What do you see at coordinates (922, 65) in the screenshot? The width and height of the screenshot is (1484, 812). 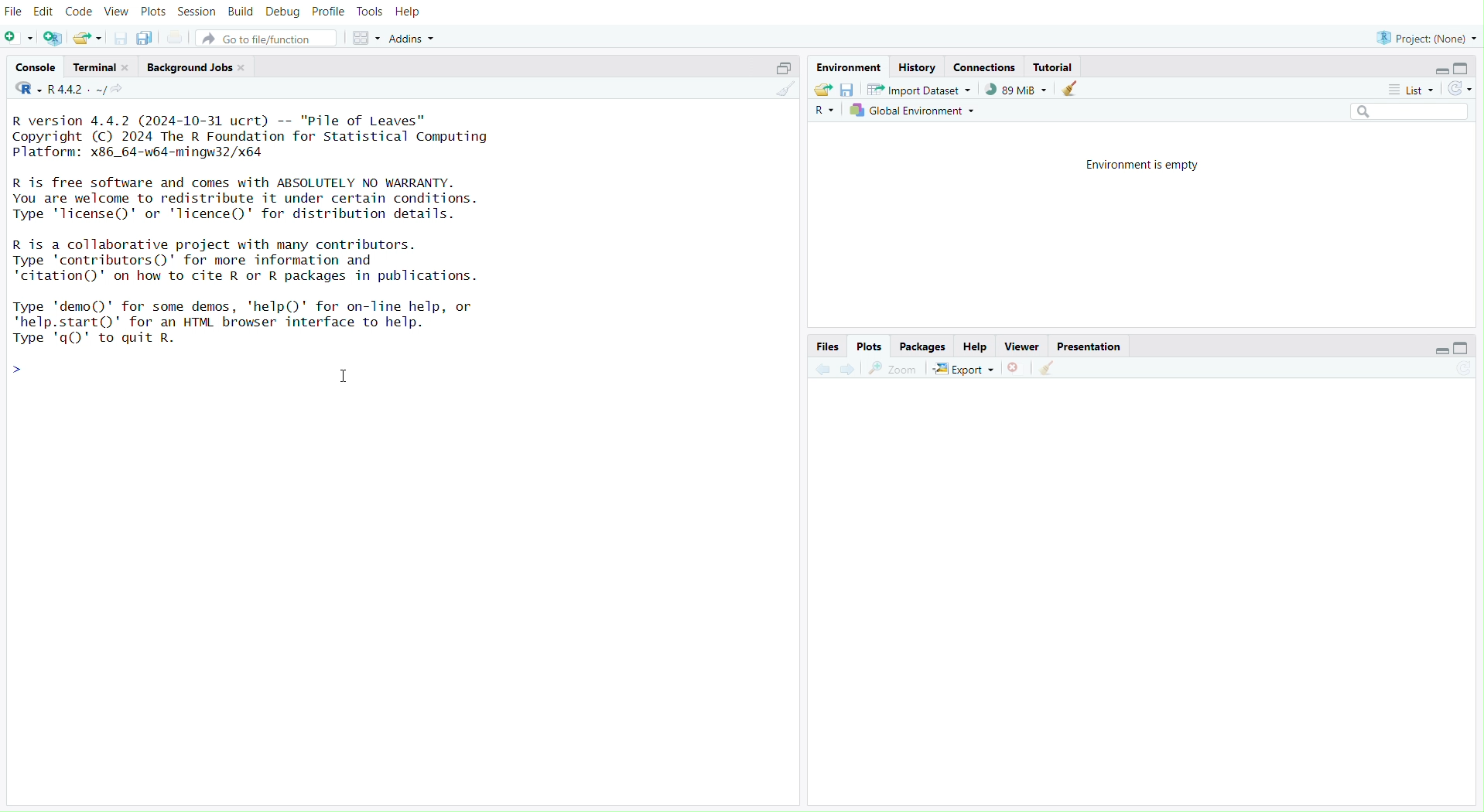 I see `History` at bounding box center [922, 65].